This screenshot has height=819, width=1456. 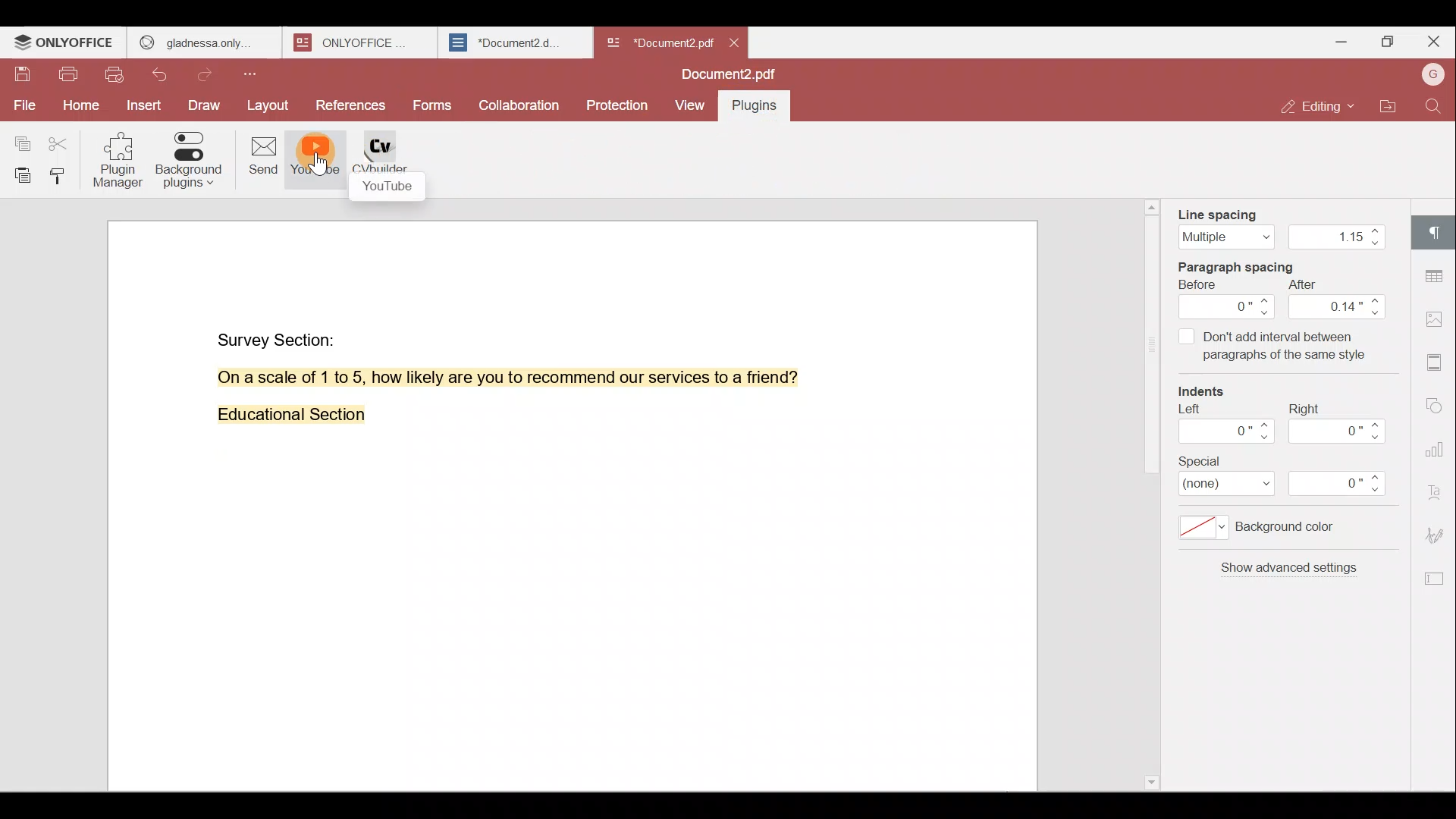 I want to click on Before, so click(x=1228, y=300).